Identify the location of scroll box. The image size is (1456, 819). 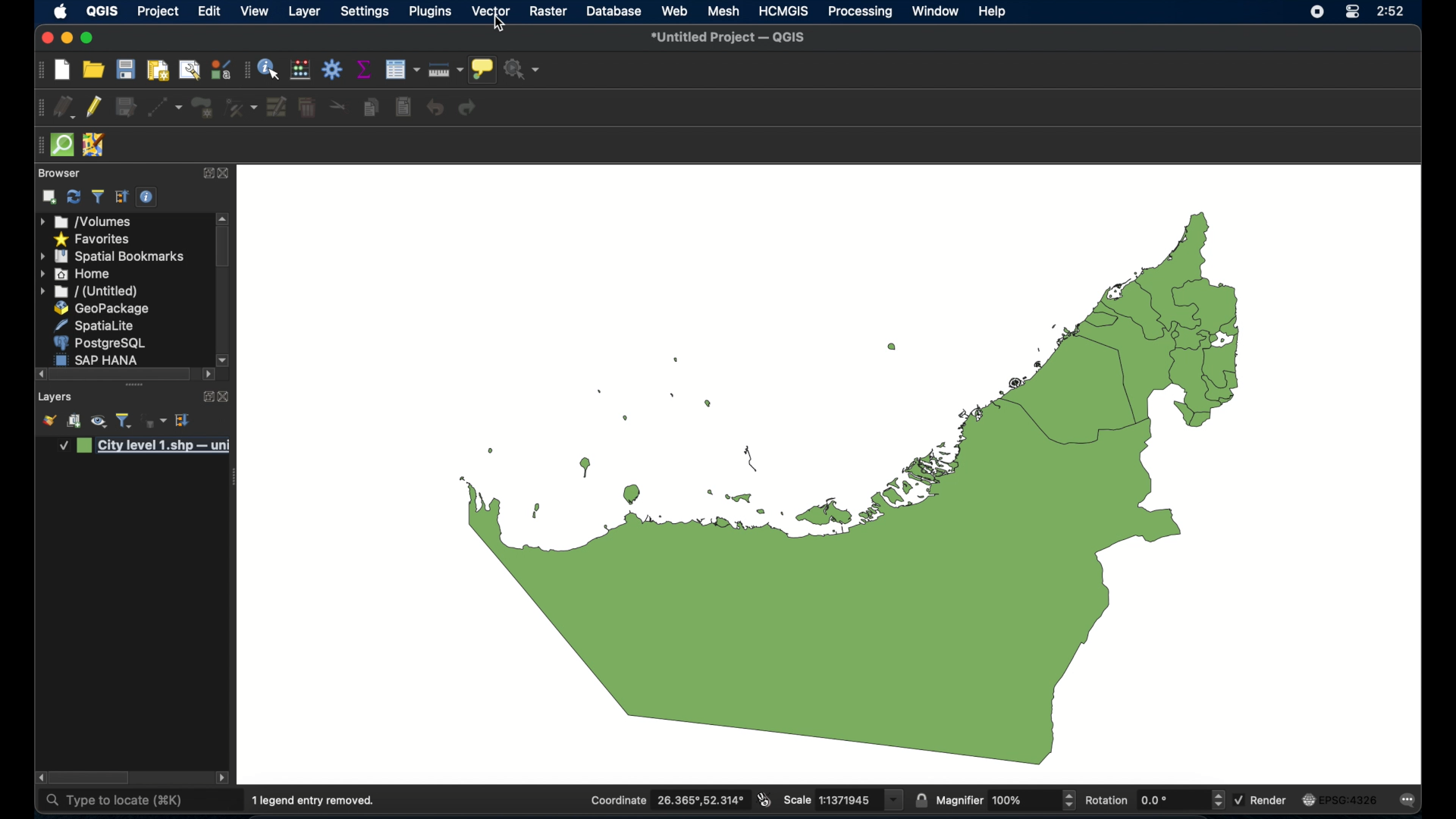
(223, 249).